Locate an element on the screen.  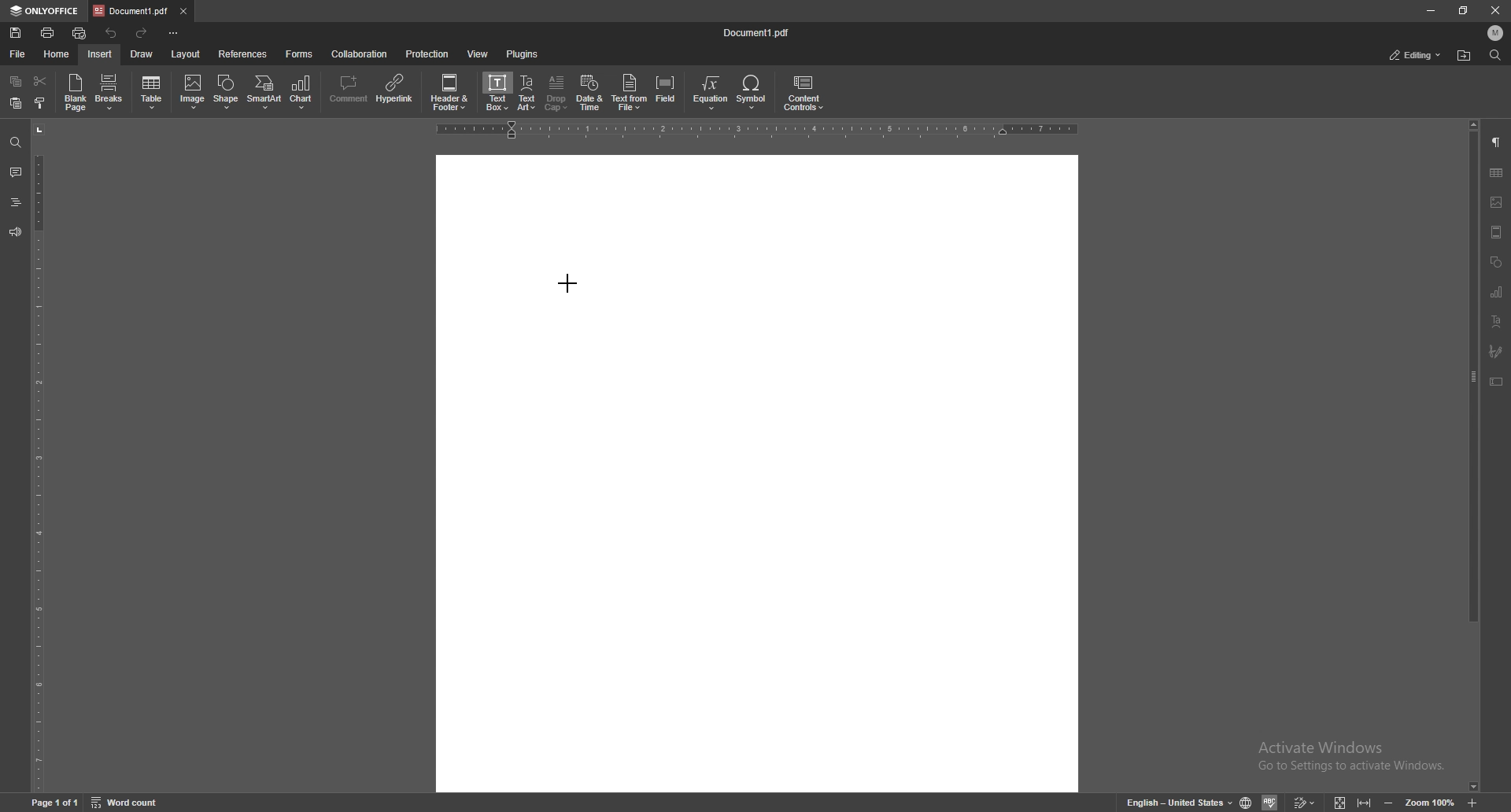
symbol is located at coordinates (753, 93).